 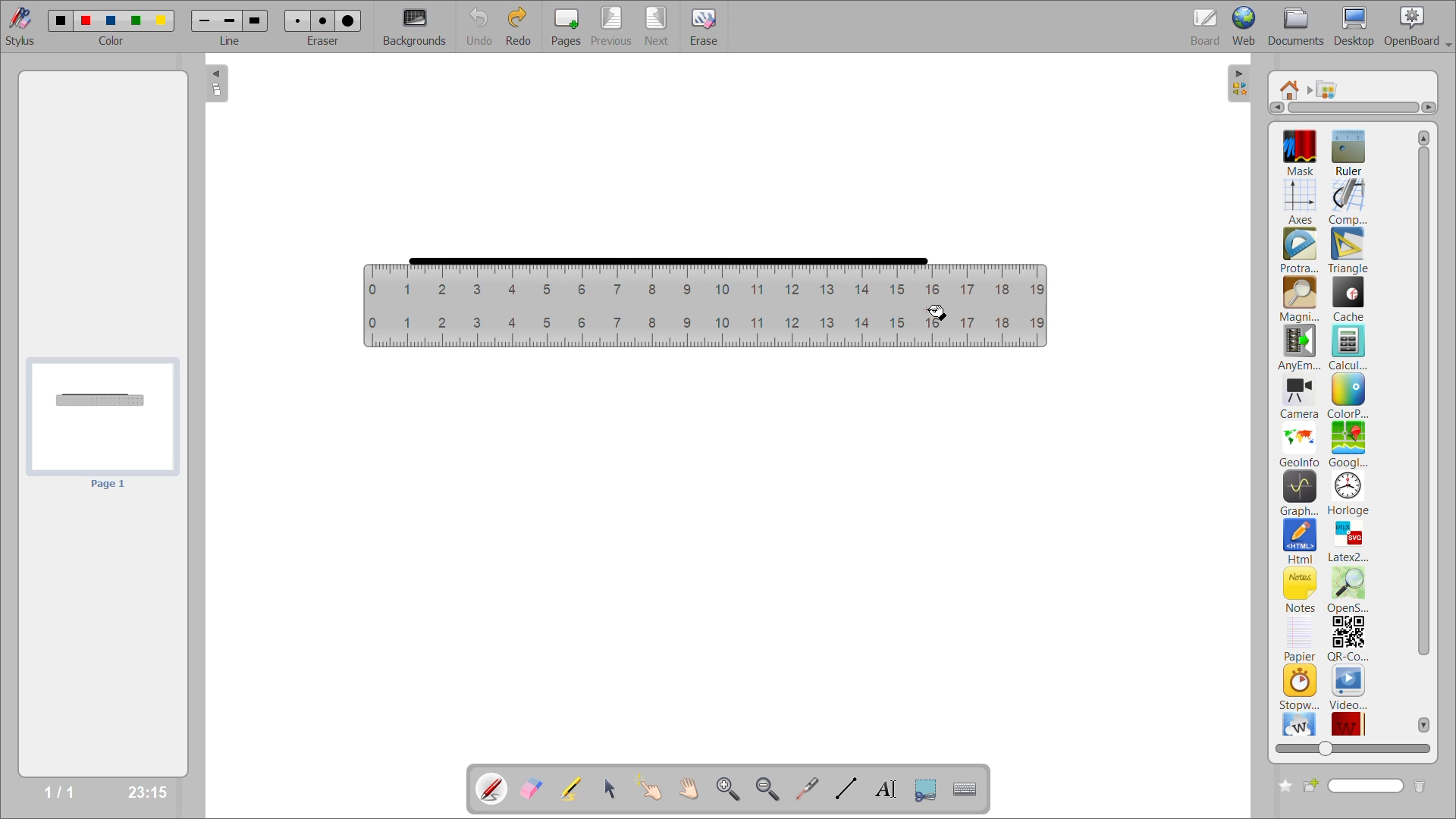 I want to click on zoom out, so click(x=770, y=788).